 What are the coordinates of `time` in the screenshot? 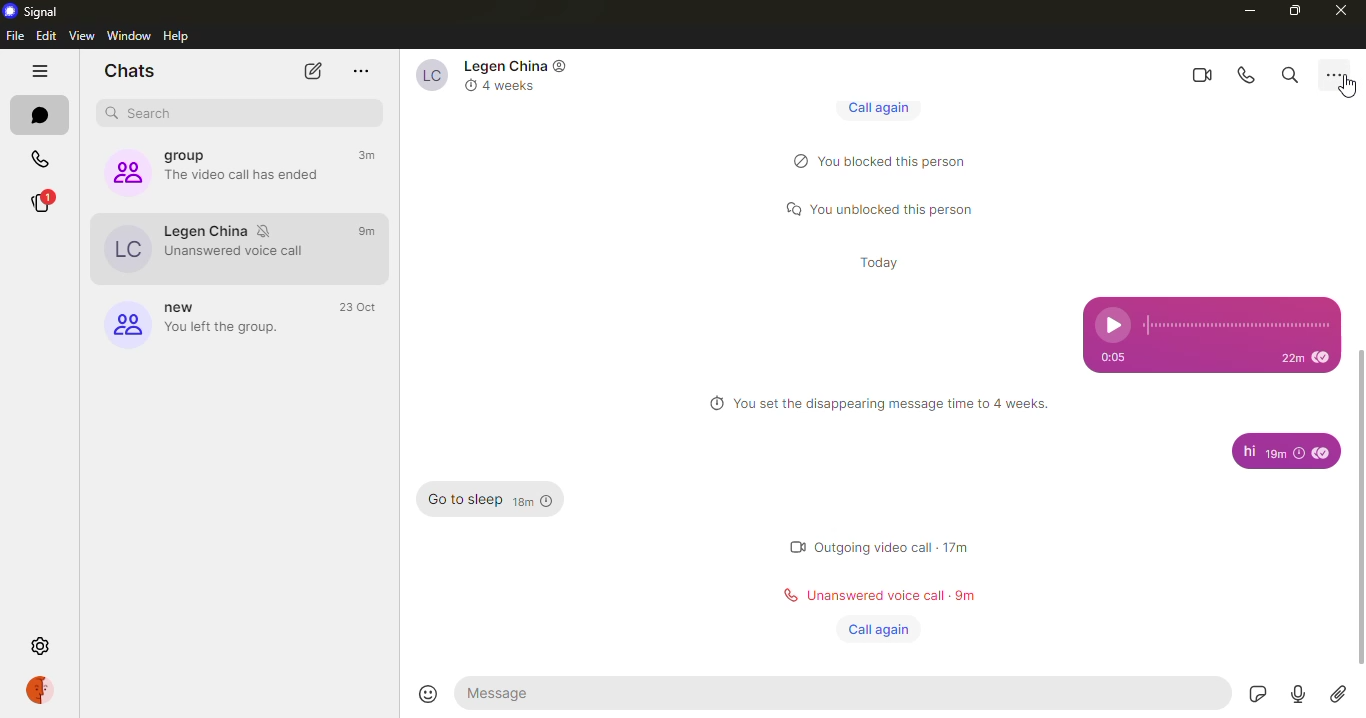 It's located at (537, 502).